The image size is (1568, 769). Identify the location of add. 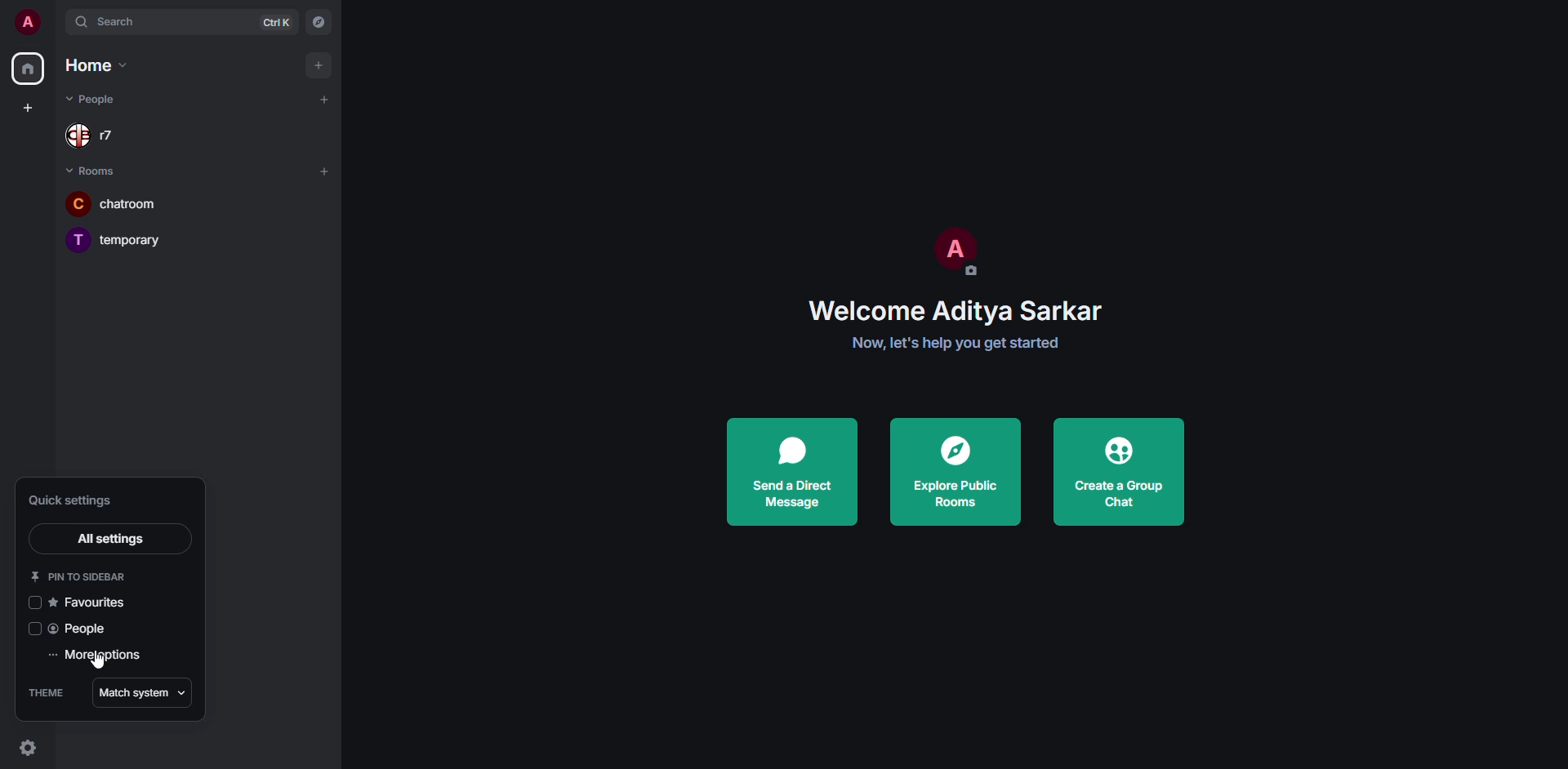
(324, 98).